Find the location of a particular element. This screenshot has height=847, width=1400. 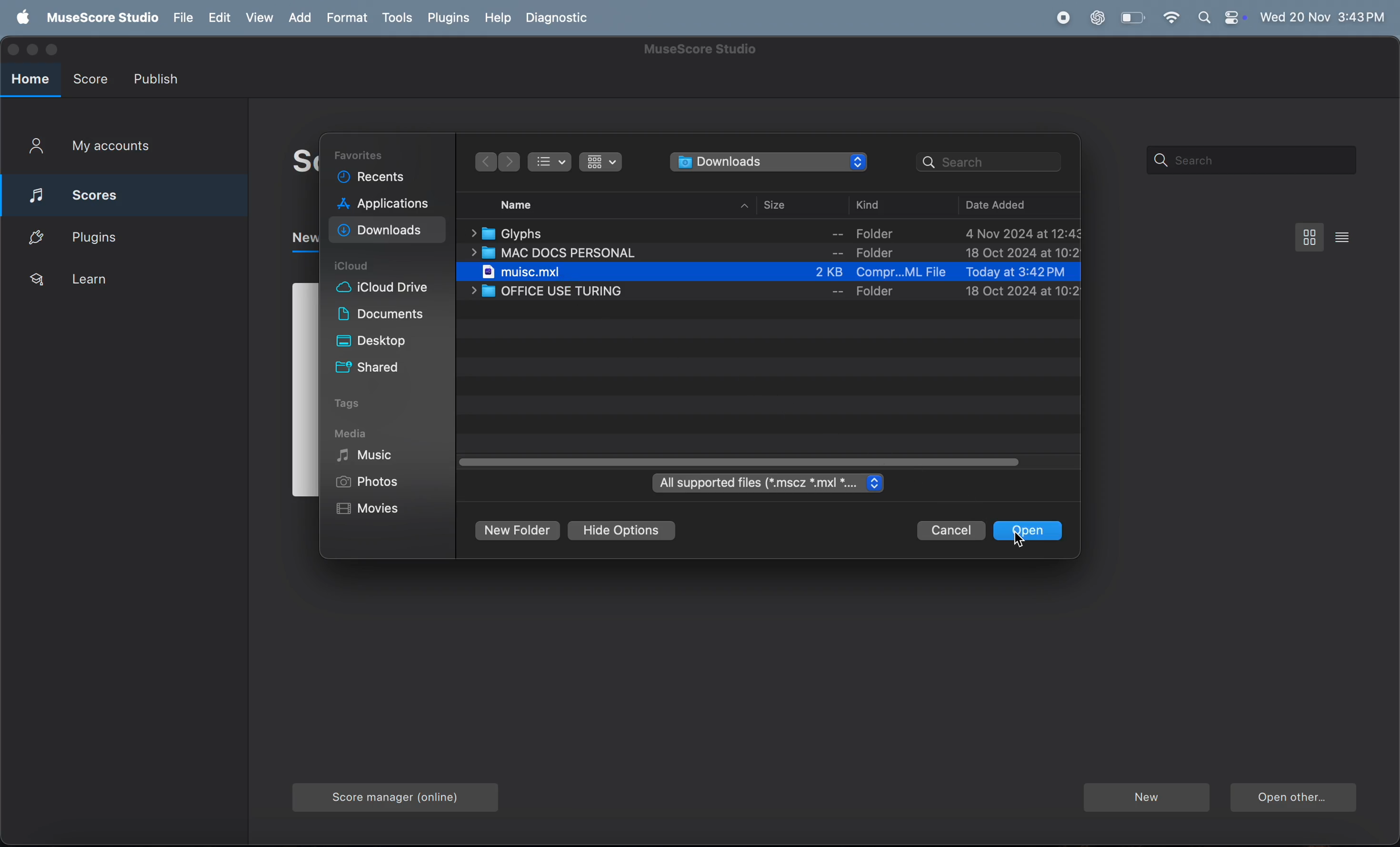

musescore studio is located at coordinates (102, 17).